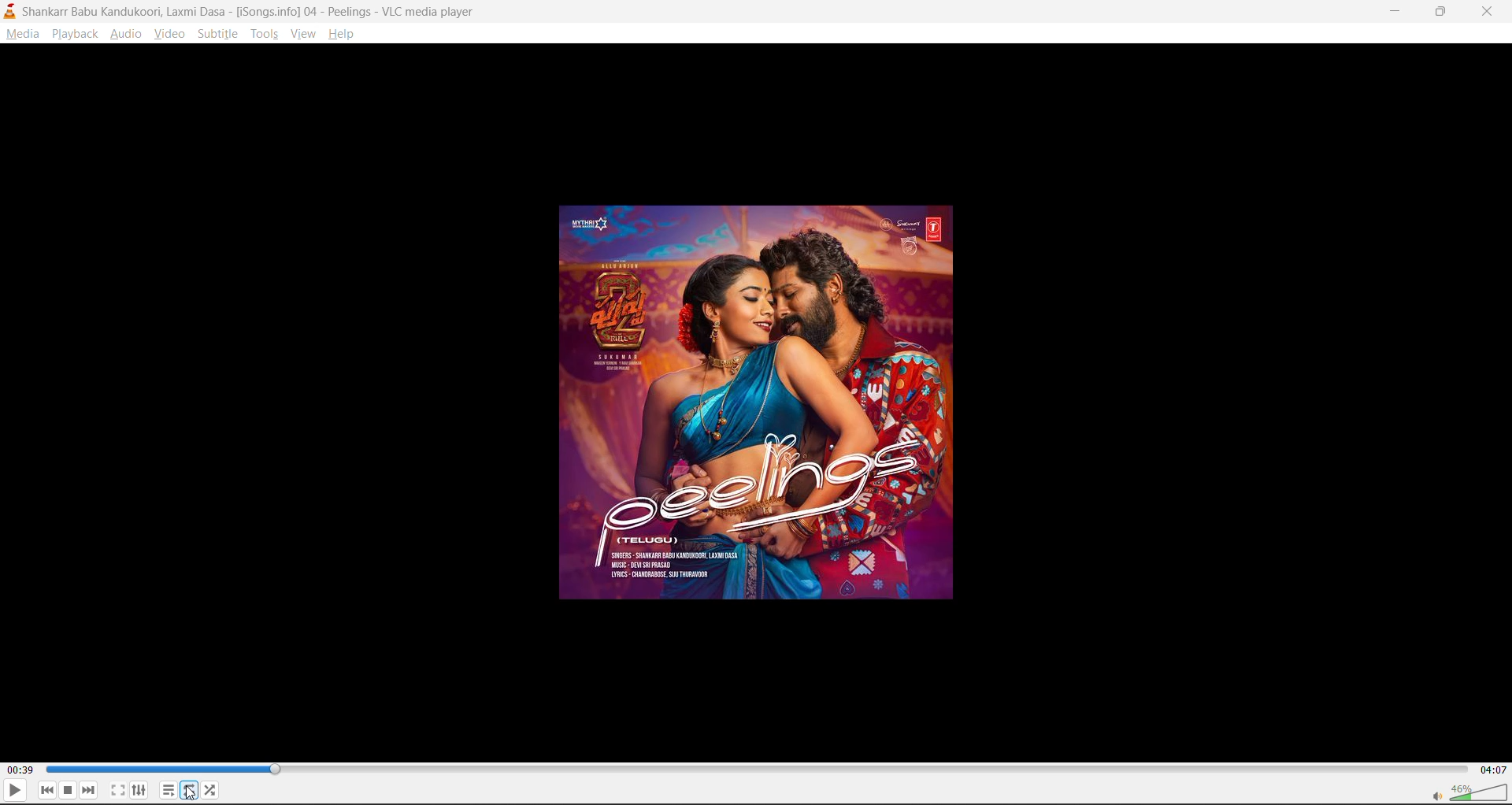  What do you see at coordinates (75, 35) in the screenshot?
I see `playback` at bounding box center [75, 35].